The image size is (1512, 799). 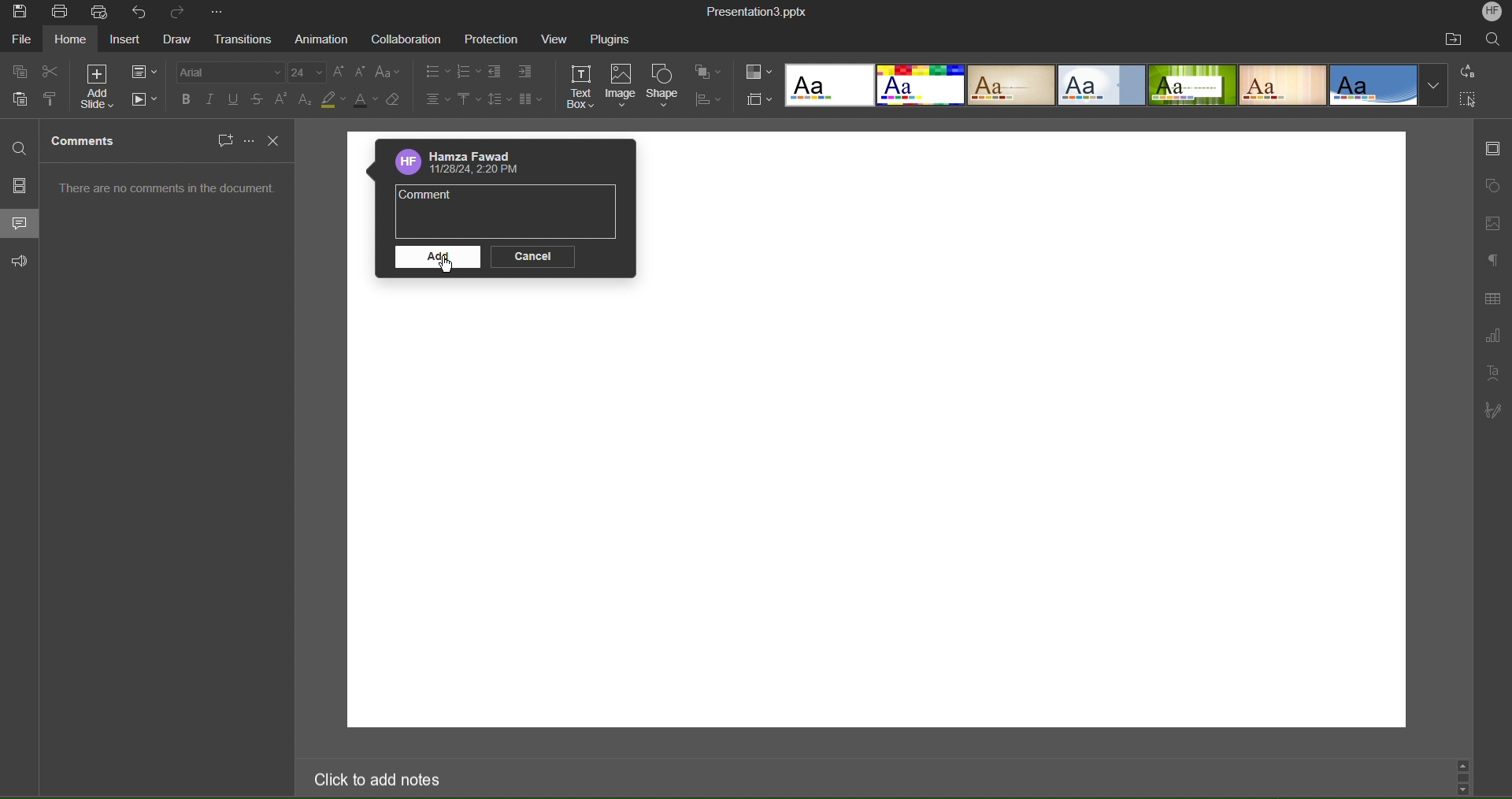 What do you see at coordinates (62, 11) in the screenshot?
I see `Print` at bounding box center [62, 11].